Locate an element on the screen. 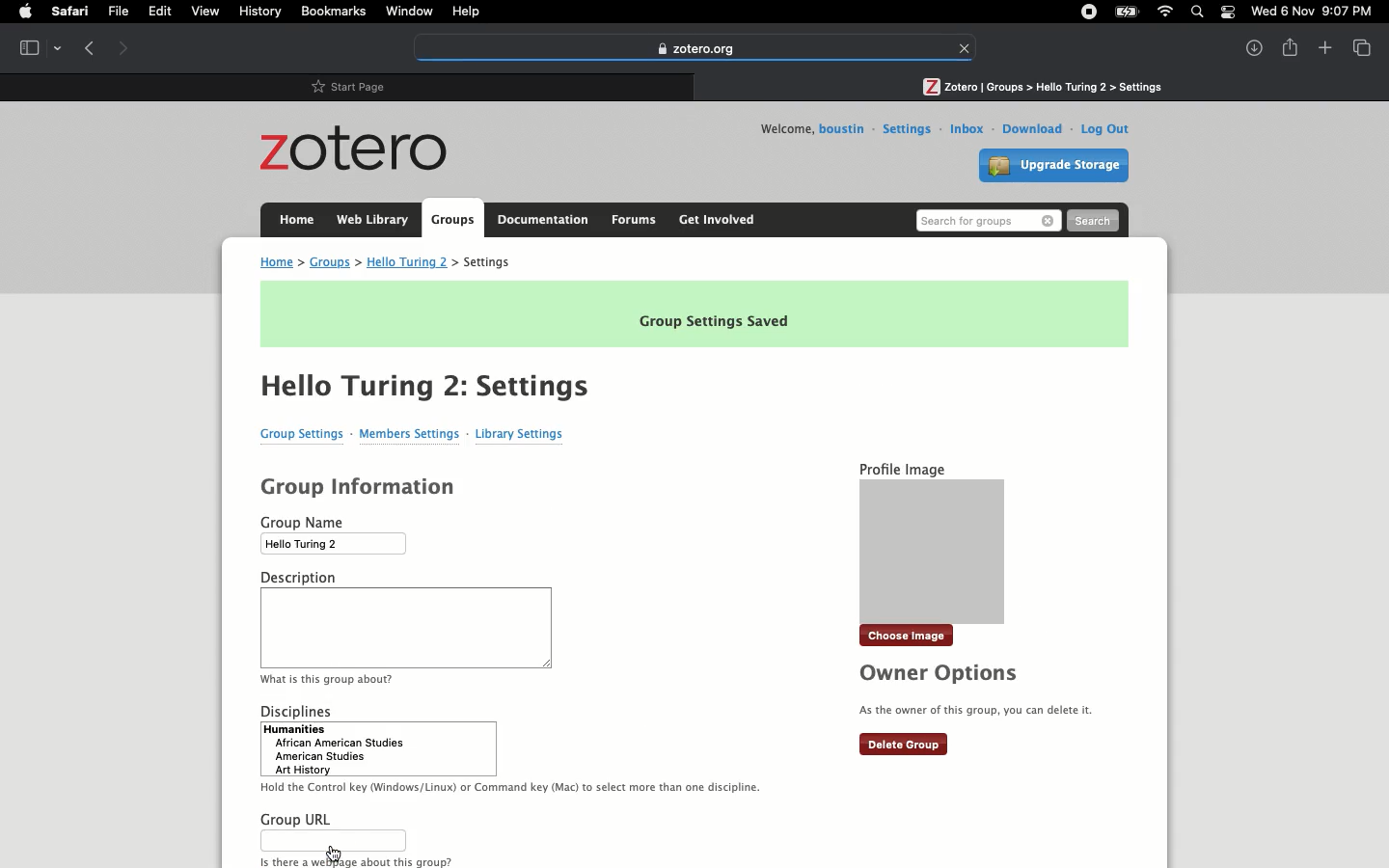  Search is located at coordinates (988, 220).